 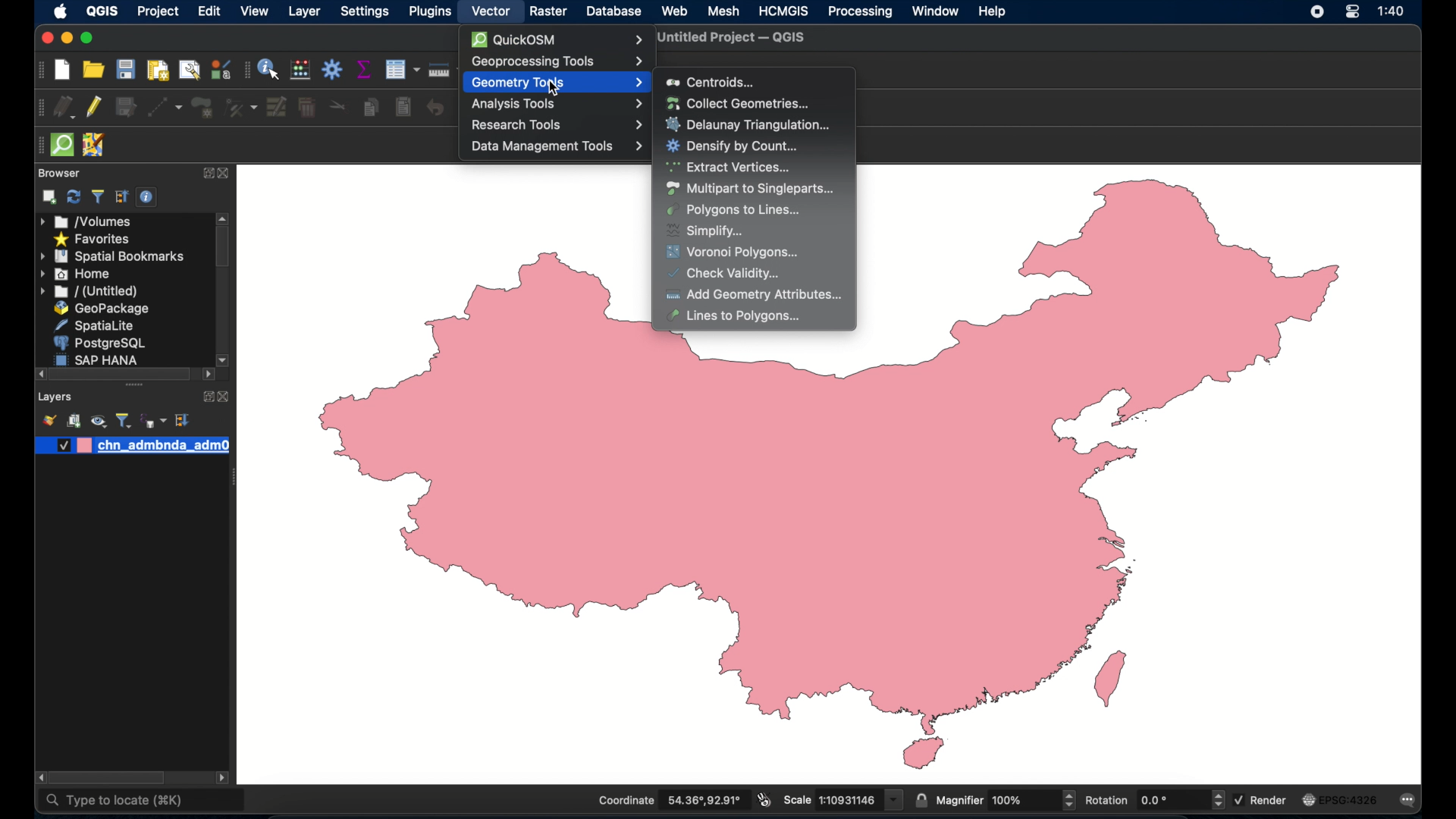 What do you see at coordinates (428, 13) in the screenshot?
I see `plugins` at bounding box center [428, 13].